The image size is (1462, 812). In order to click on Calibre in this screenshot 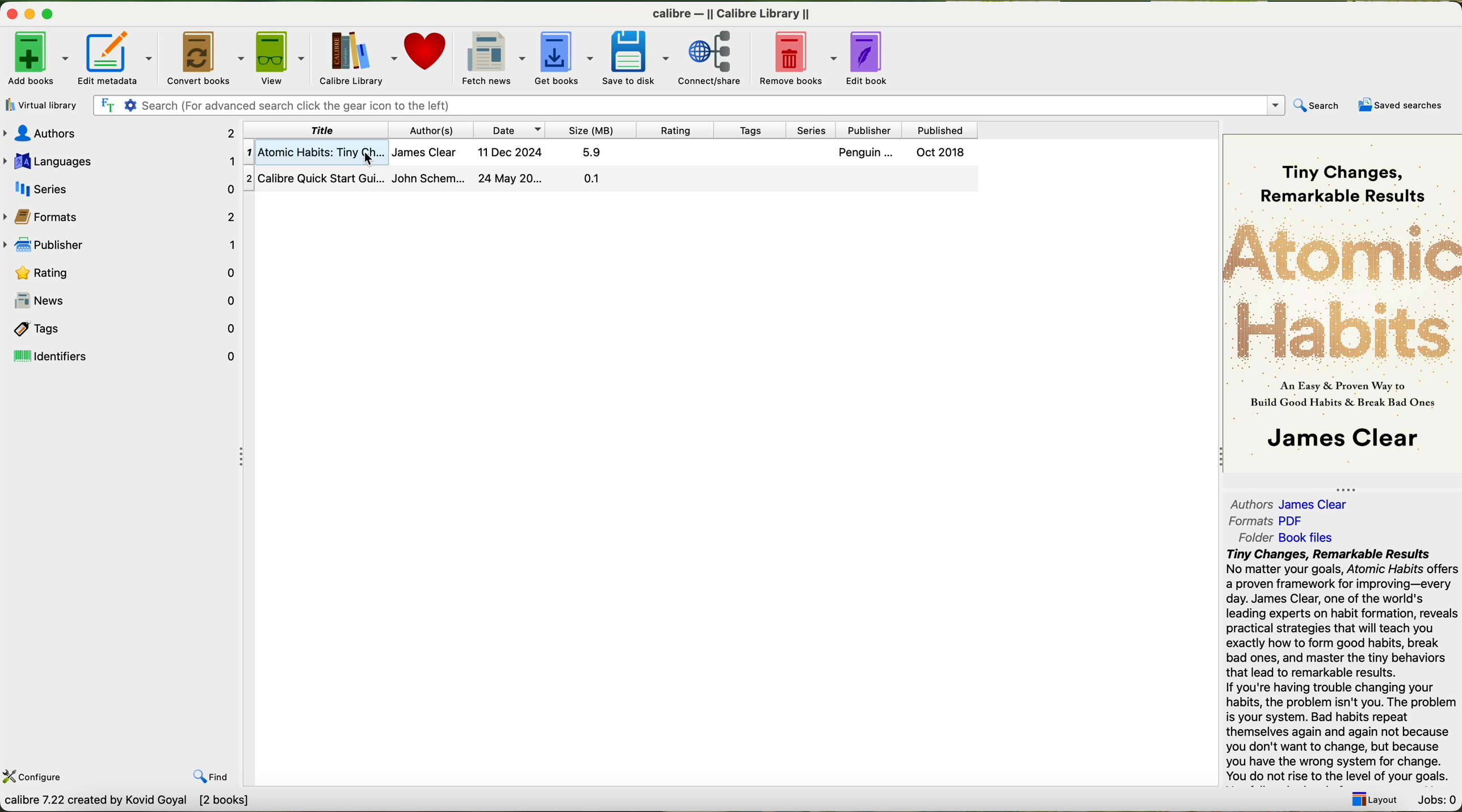, I will do `click(731, 14)`.